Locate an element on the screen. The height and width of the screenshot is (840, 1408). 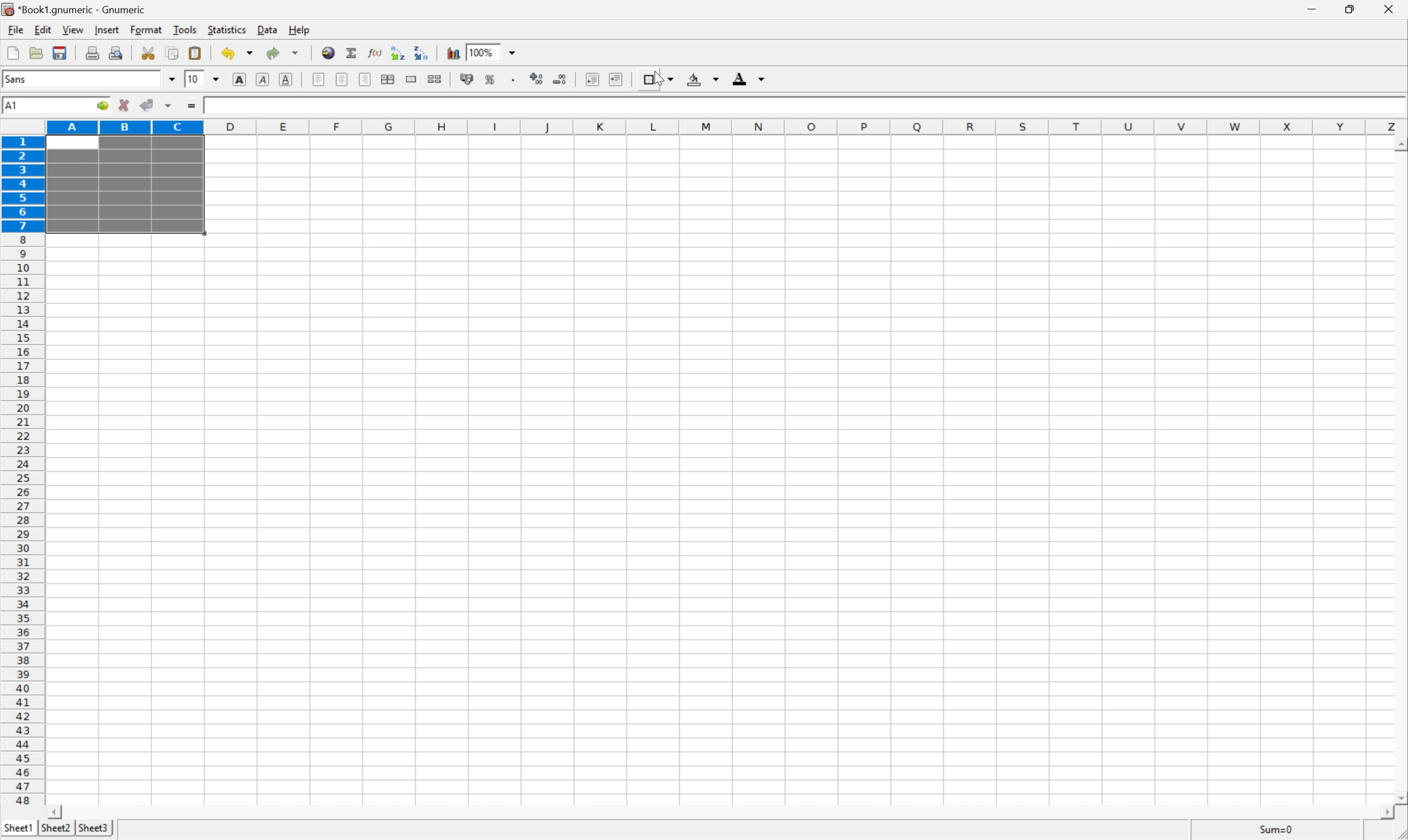
sum=0 is located at coordinates (1281, 830).